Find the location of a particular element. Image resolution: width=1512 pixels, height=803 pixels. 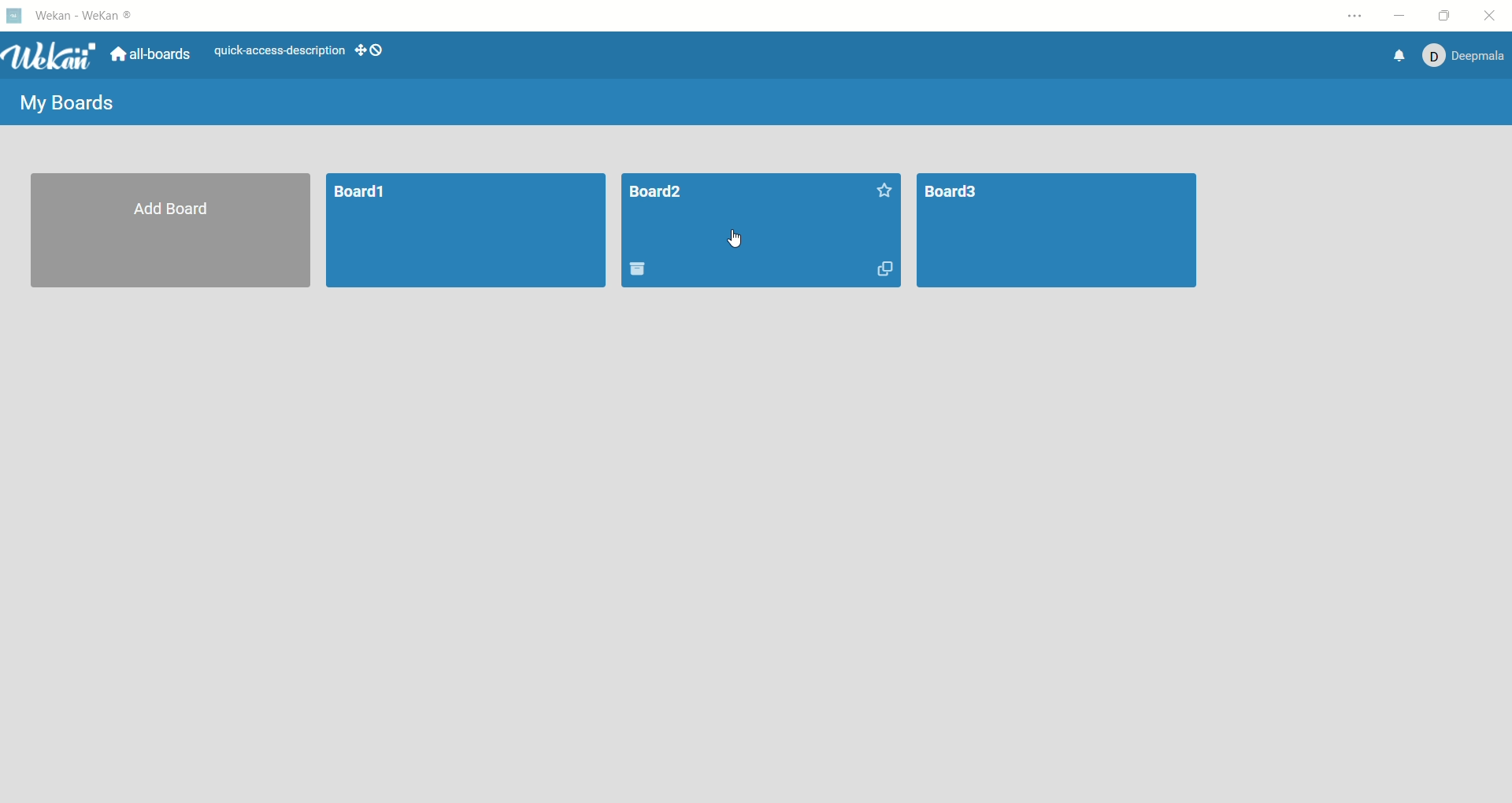

board title is located at coordinates (658, 188).